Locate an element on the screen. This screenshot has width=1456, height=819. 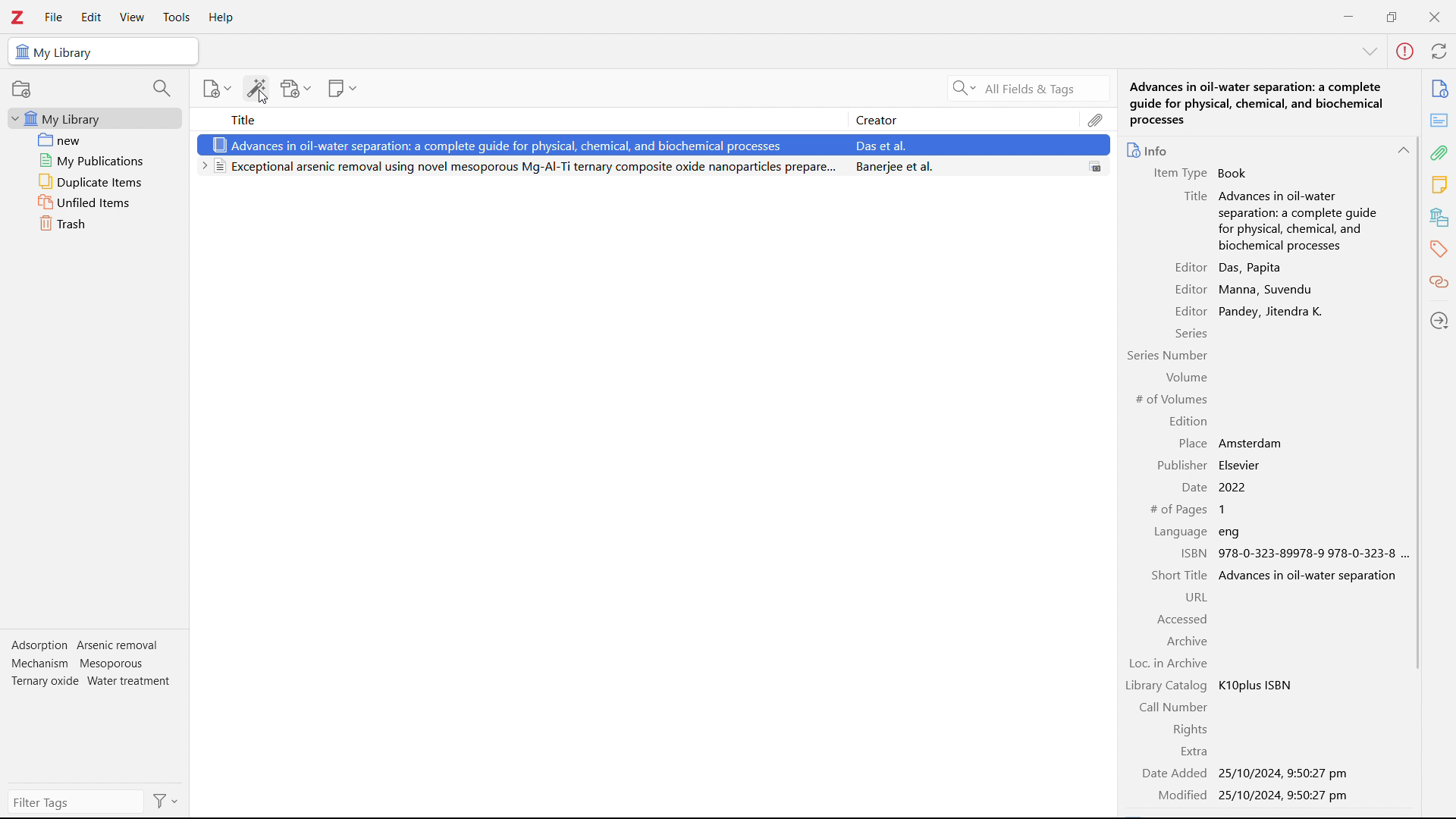
Language is located at coordinates (1180, 532).